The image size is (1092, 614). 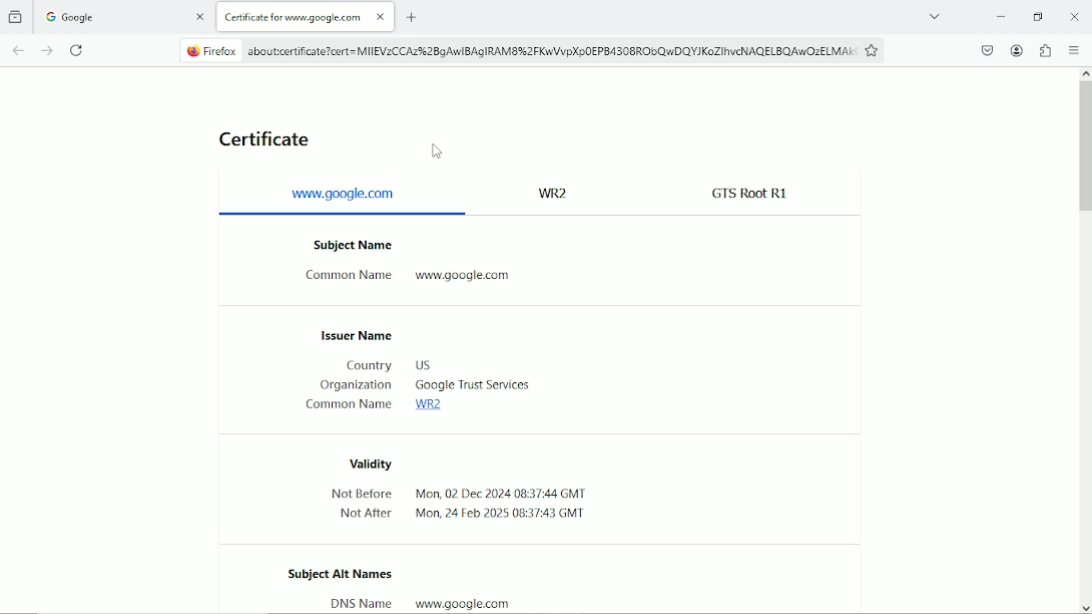 I want to click on extensions, so click(x=1046, y=49).